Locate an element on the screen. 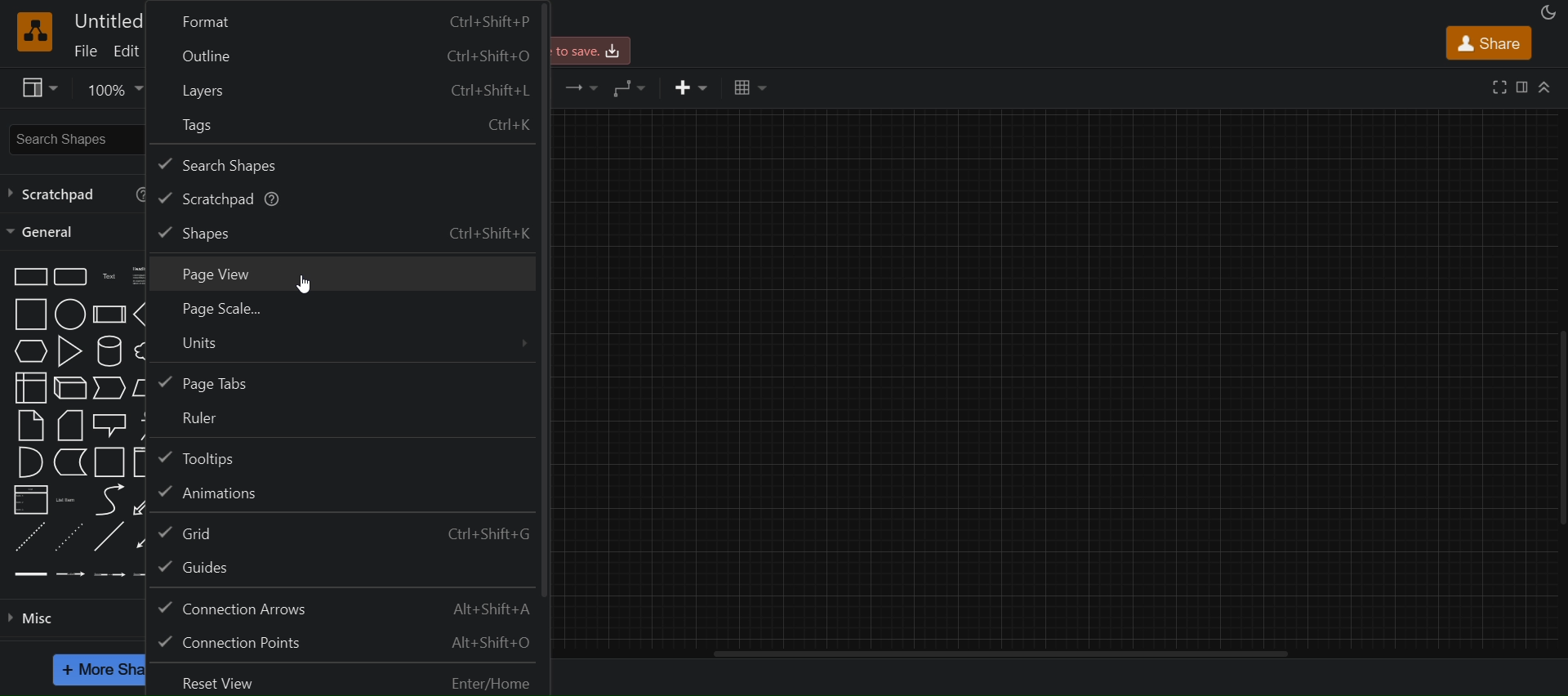  zoom is located at coordinates (114, 87).